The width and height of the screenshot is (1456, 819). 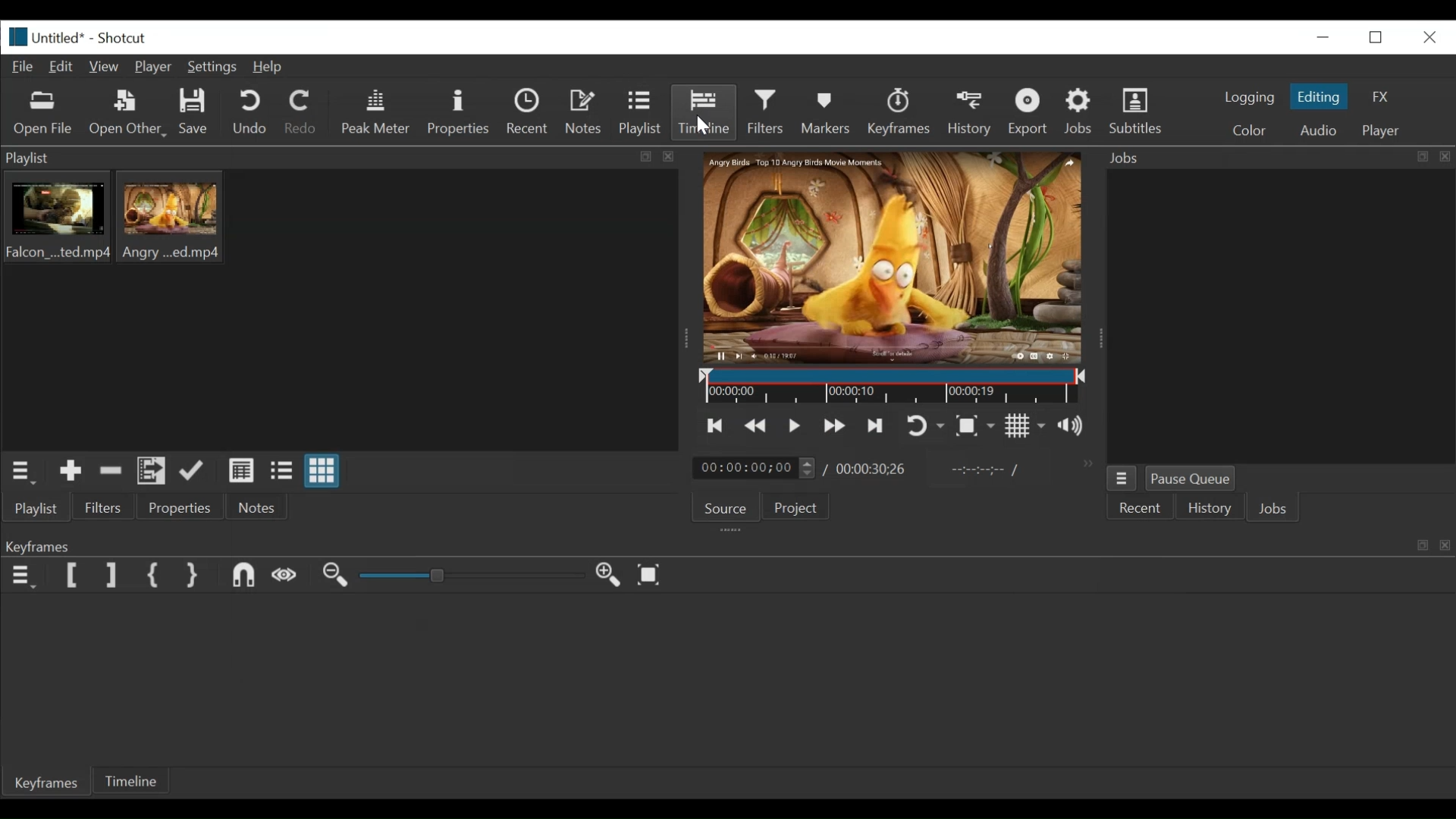 I want to click on clip, so click(x=174, y=216).